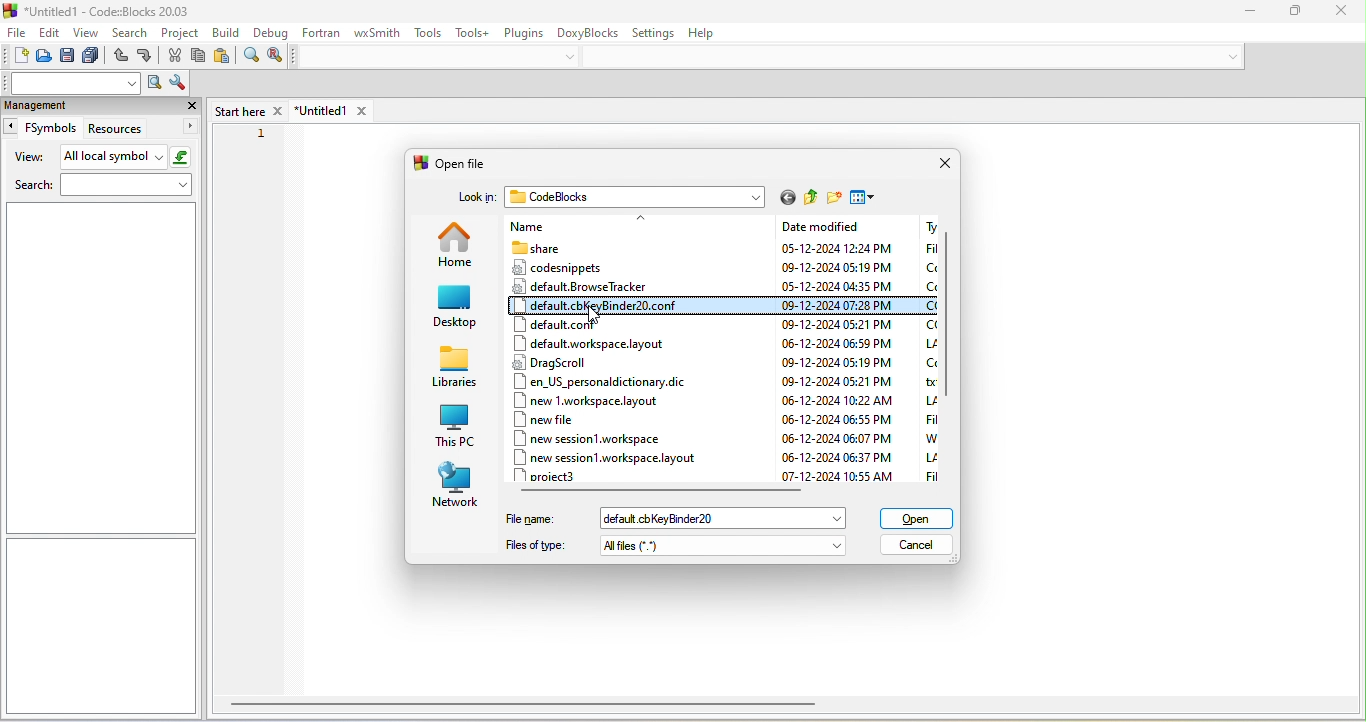 Image resolution: width=1366 pixels, height=722 pixels. I want to click on copy, so click(197, 56).